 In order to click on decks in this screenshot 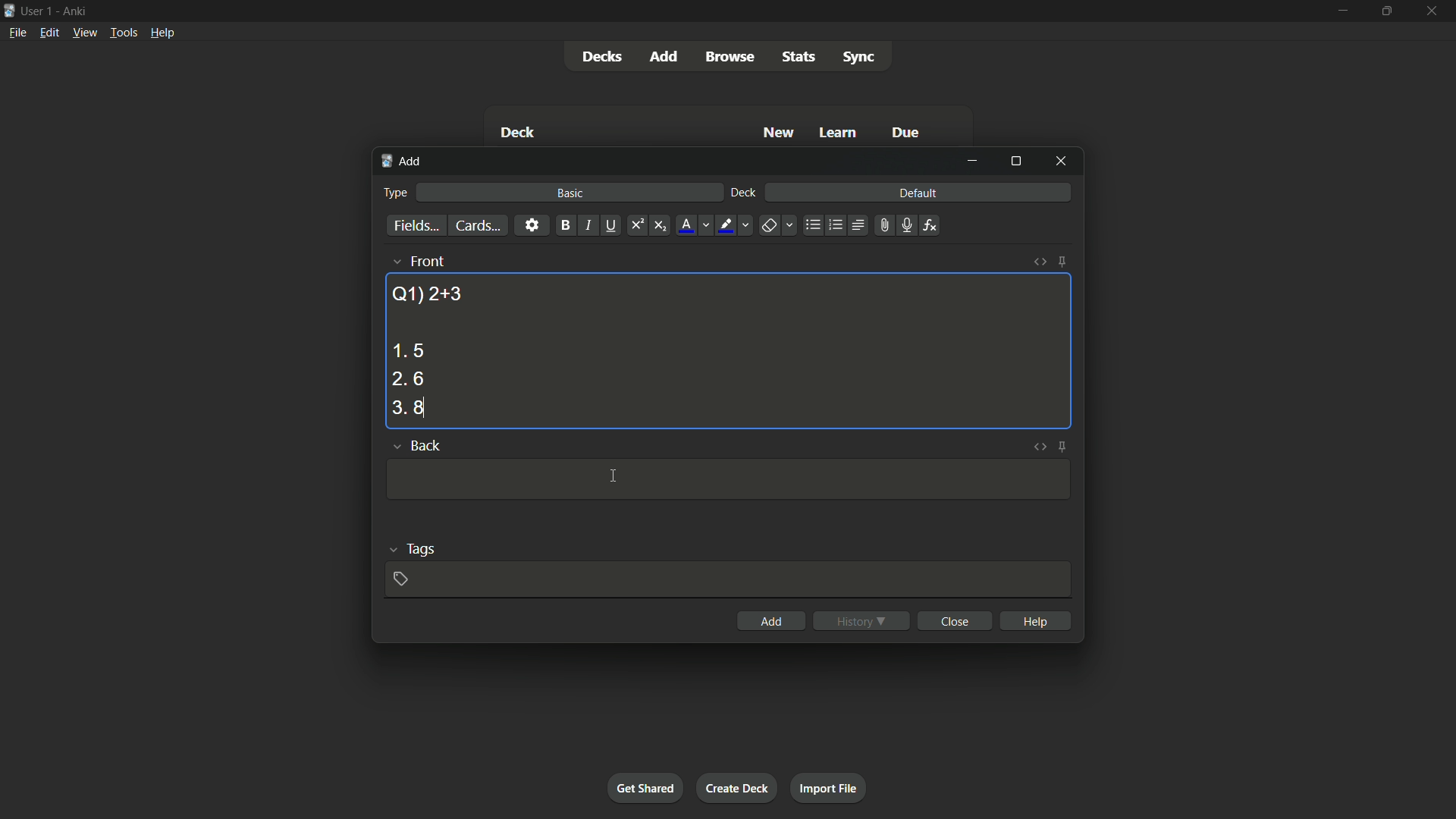, I will do `click(601, 57)`.